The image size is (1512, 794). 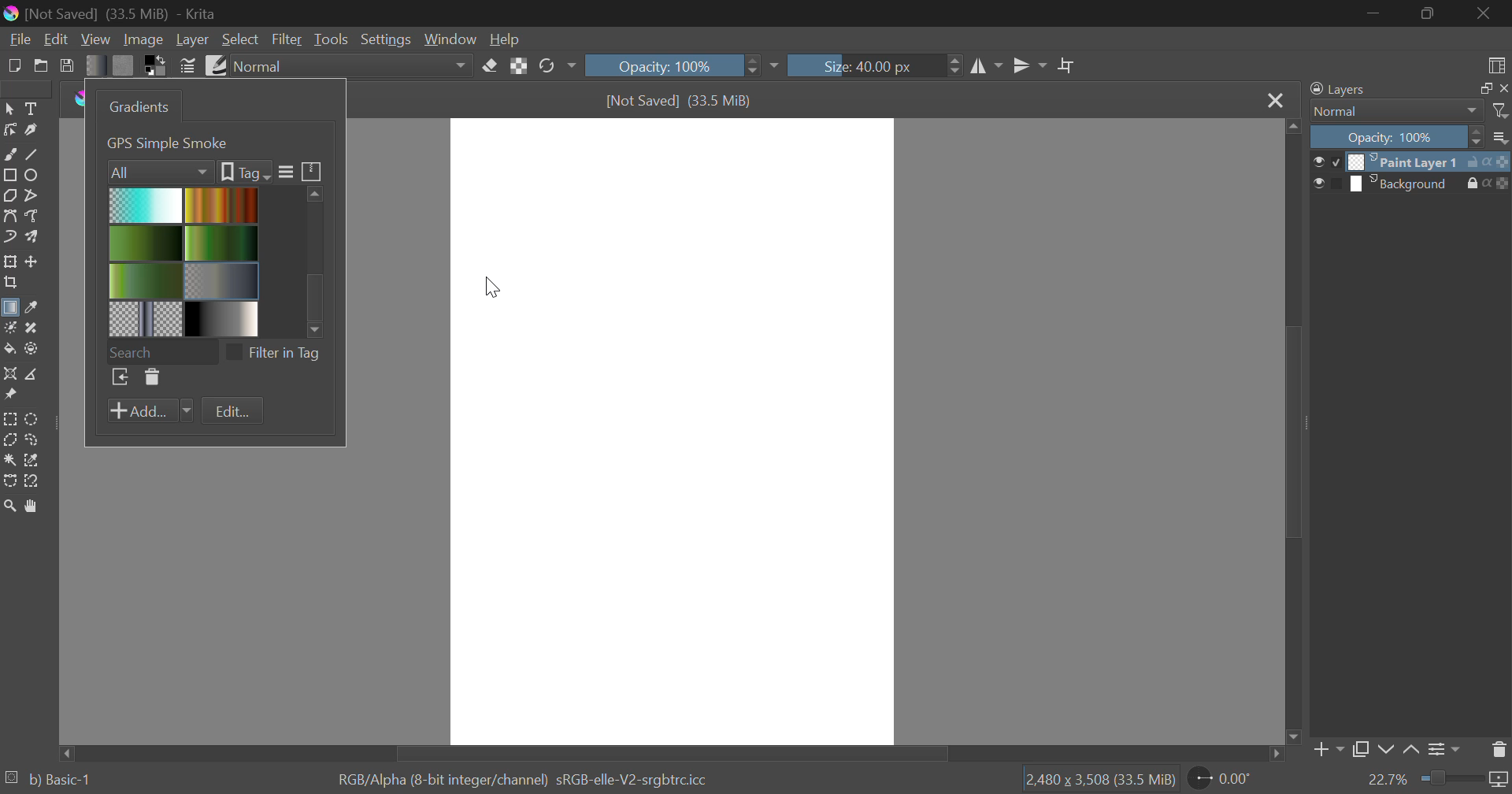 What do you see at coordinates (96, 65) in the screenshot?
I see `Gradient` at bounding box center [96, 65].